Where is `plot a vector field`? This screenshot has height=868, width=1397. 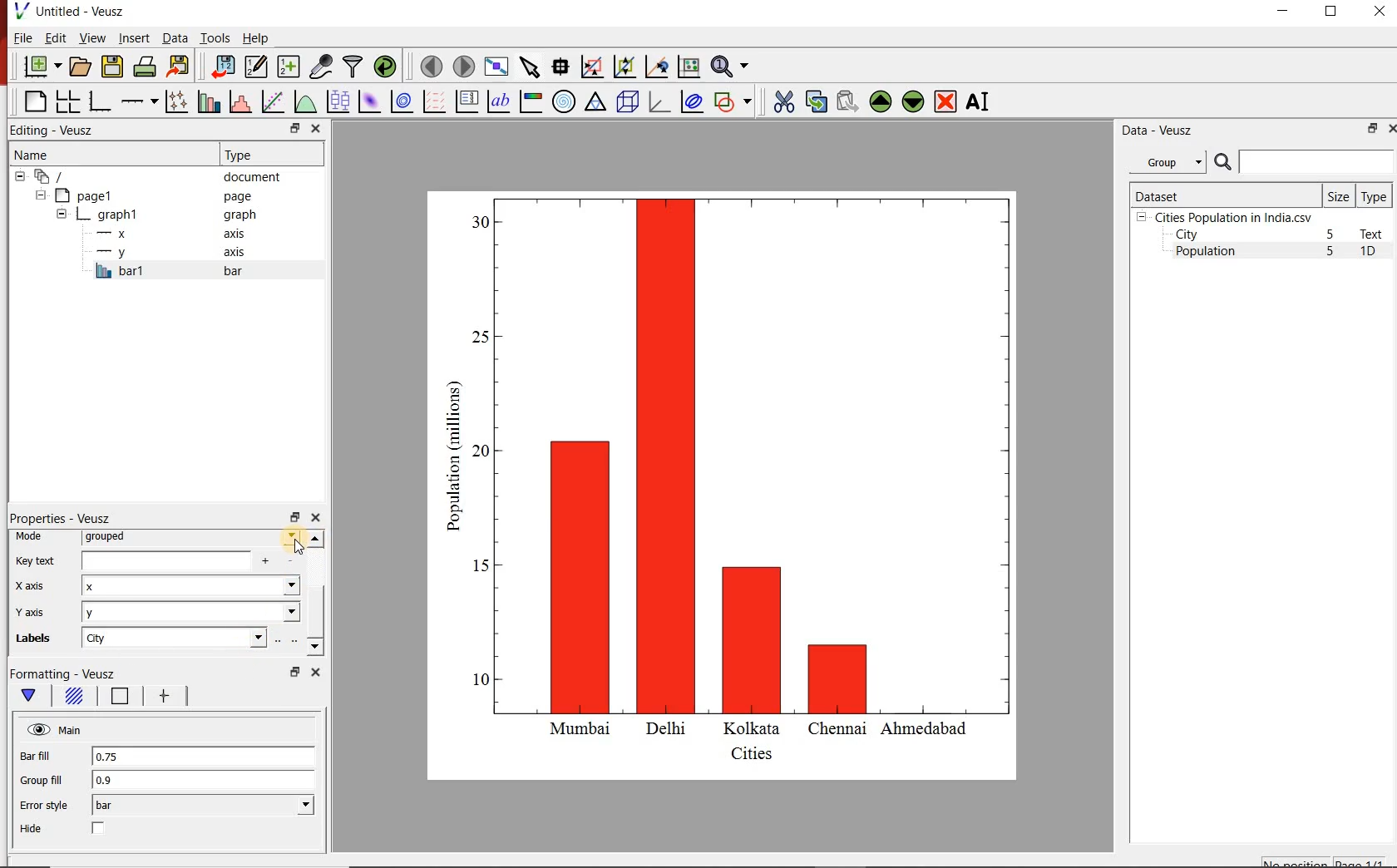
plot a vector field is located at coordinates (432, 101).